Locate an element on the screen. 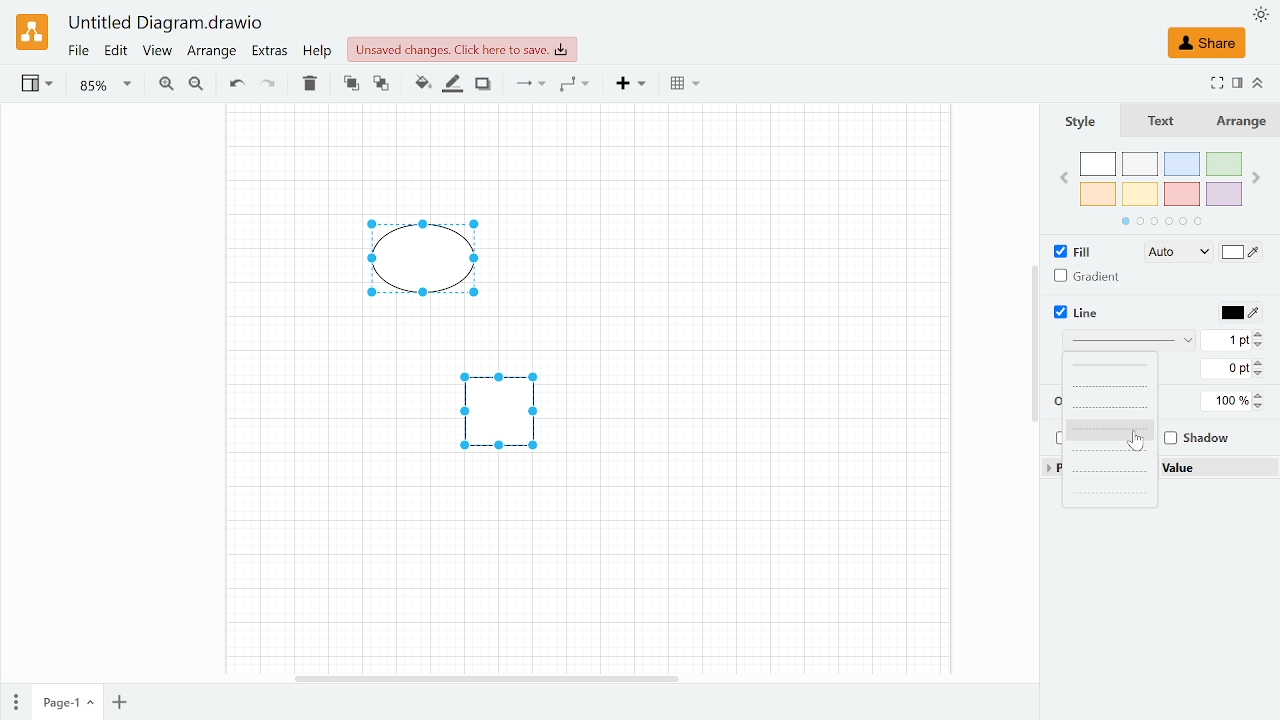 The image size is (1280, 720). Solid is located at coordinates (1110, 366).